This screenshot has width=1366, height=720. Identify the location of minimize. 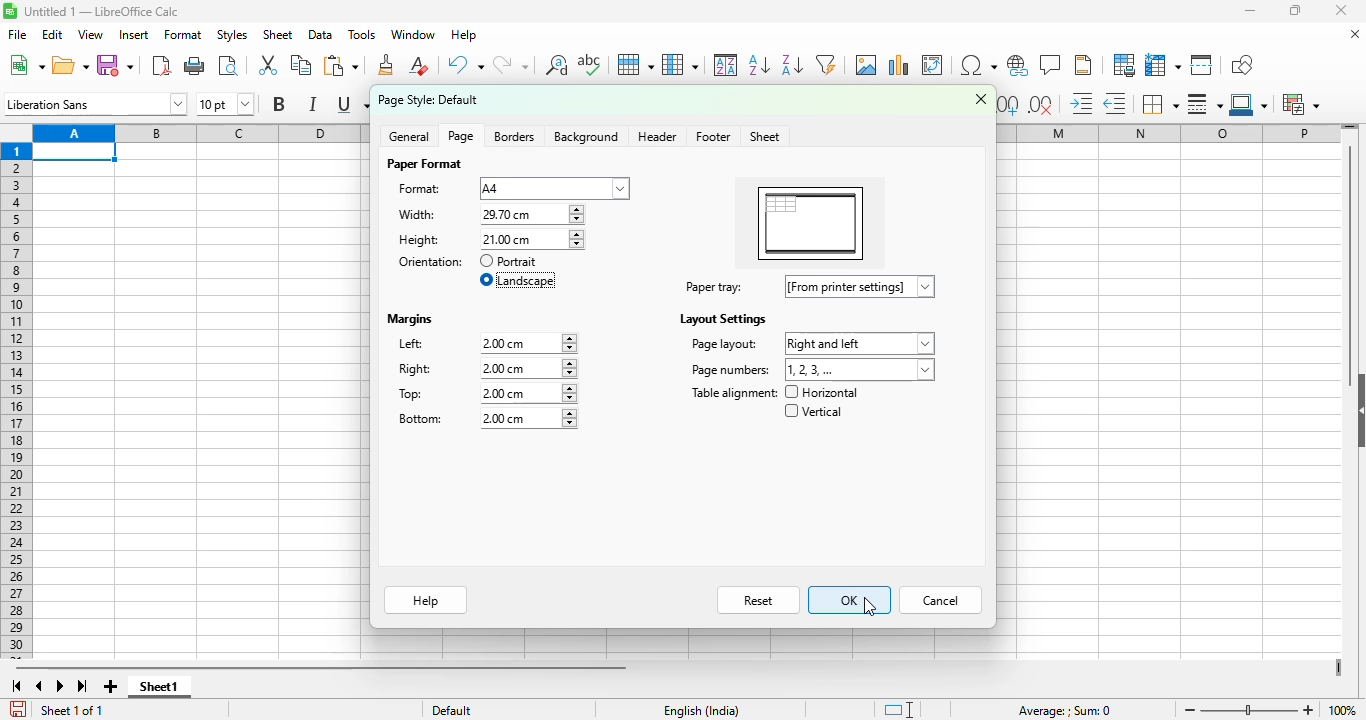
(1250, 10).